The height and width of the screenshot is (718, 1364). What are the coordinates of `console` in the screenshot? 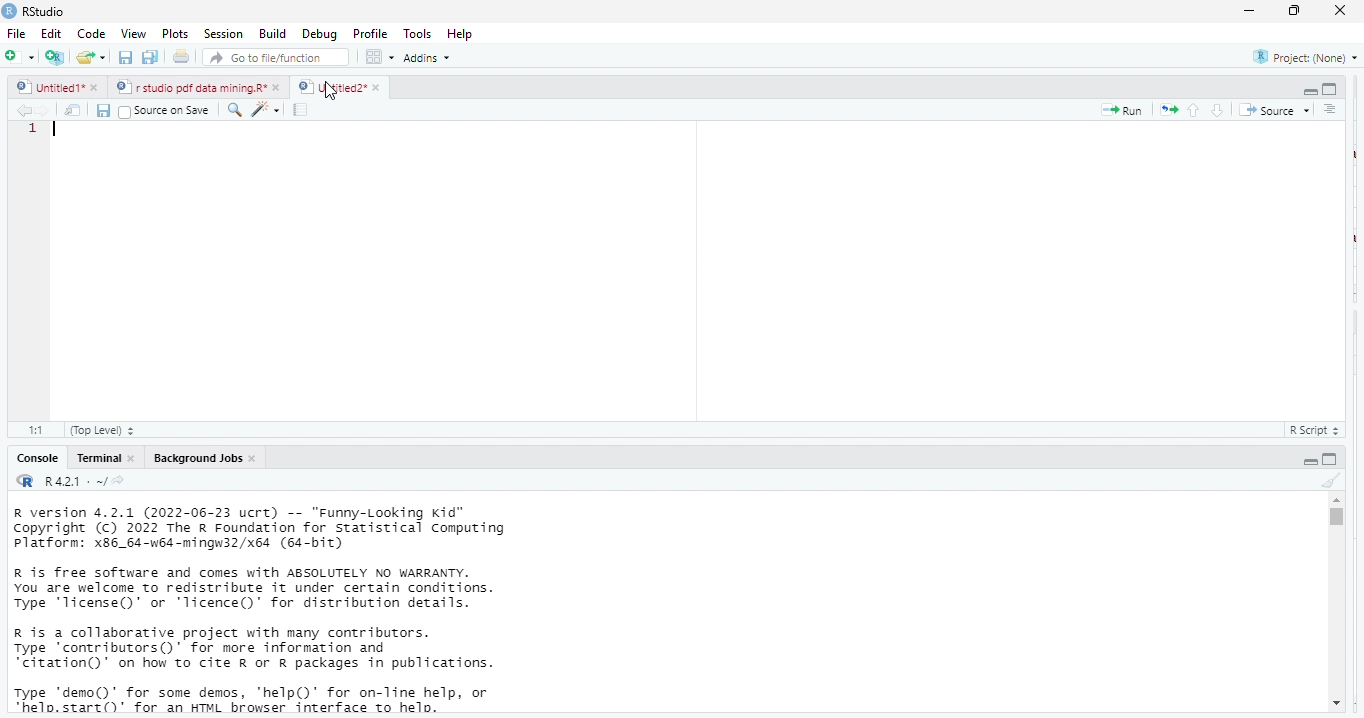 It's located at (36, 458).